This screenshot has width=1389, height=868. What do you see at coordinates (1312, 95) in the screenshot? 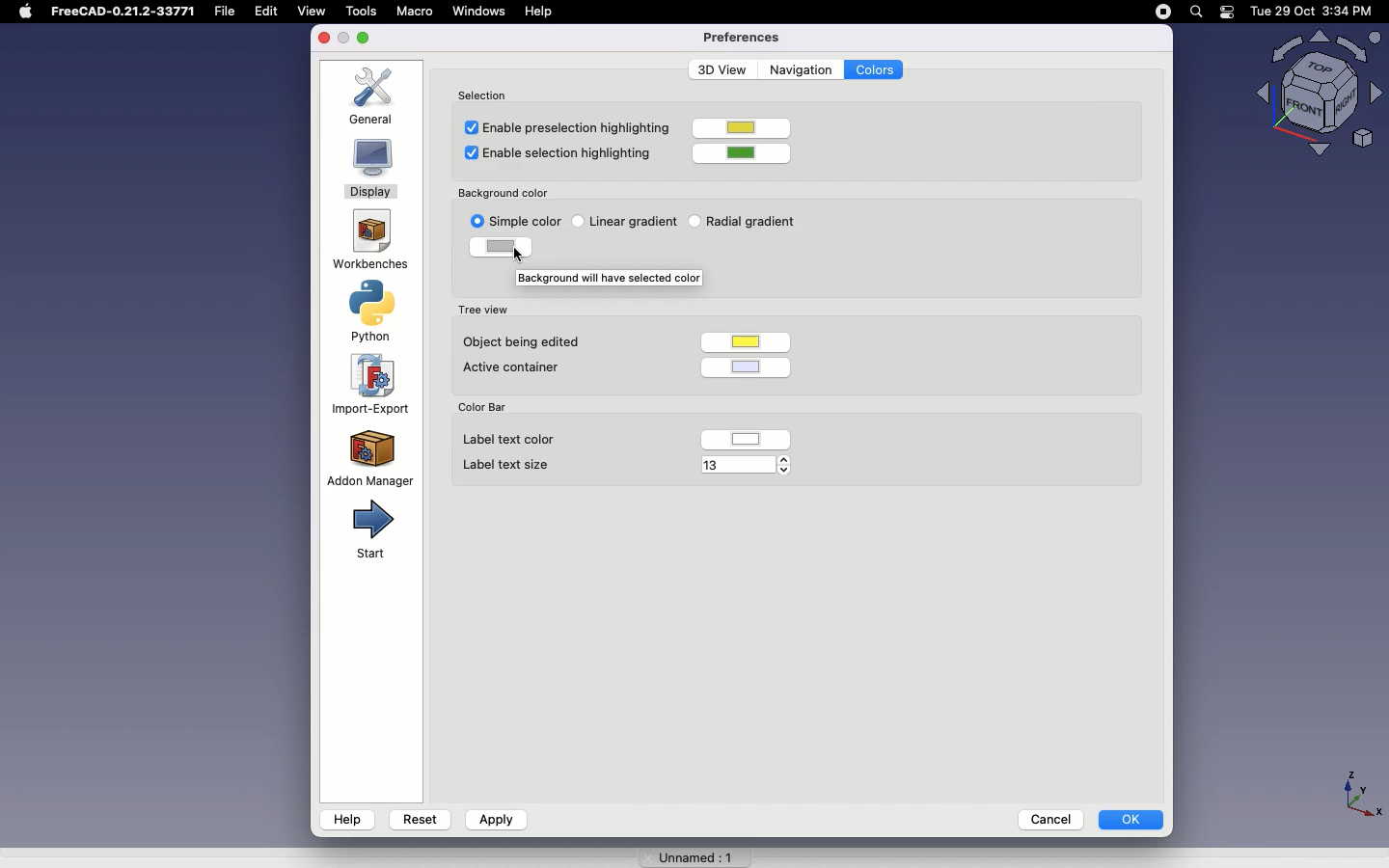
I see `Visualizer` at bounding box center [1312, 95].